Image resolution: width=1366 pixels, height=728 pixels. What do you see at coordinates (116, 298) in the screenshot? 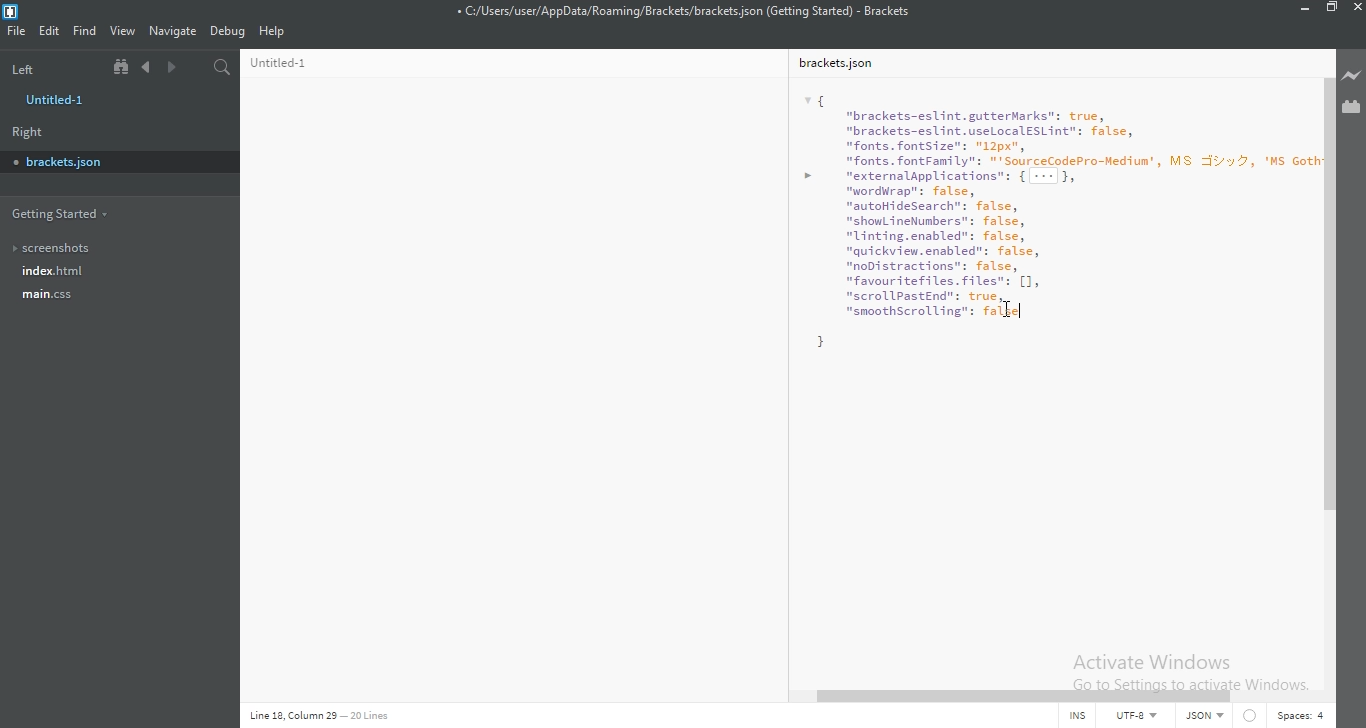
I see `main.css` at bounding box center [116, 298].